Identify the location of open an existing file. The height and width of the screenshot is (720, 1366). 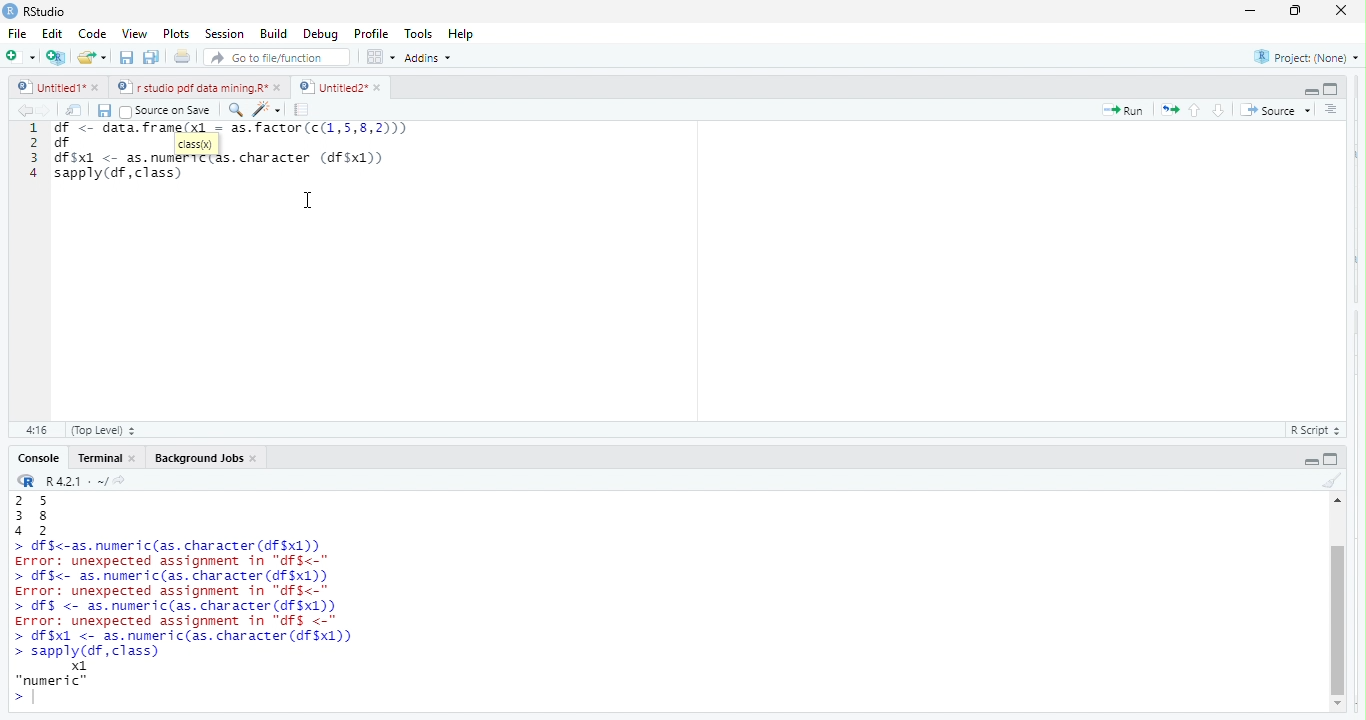
(93, 57).